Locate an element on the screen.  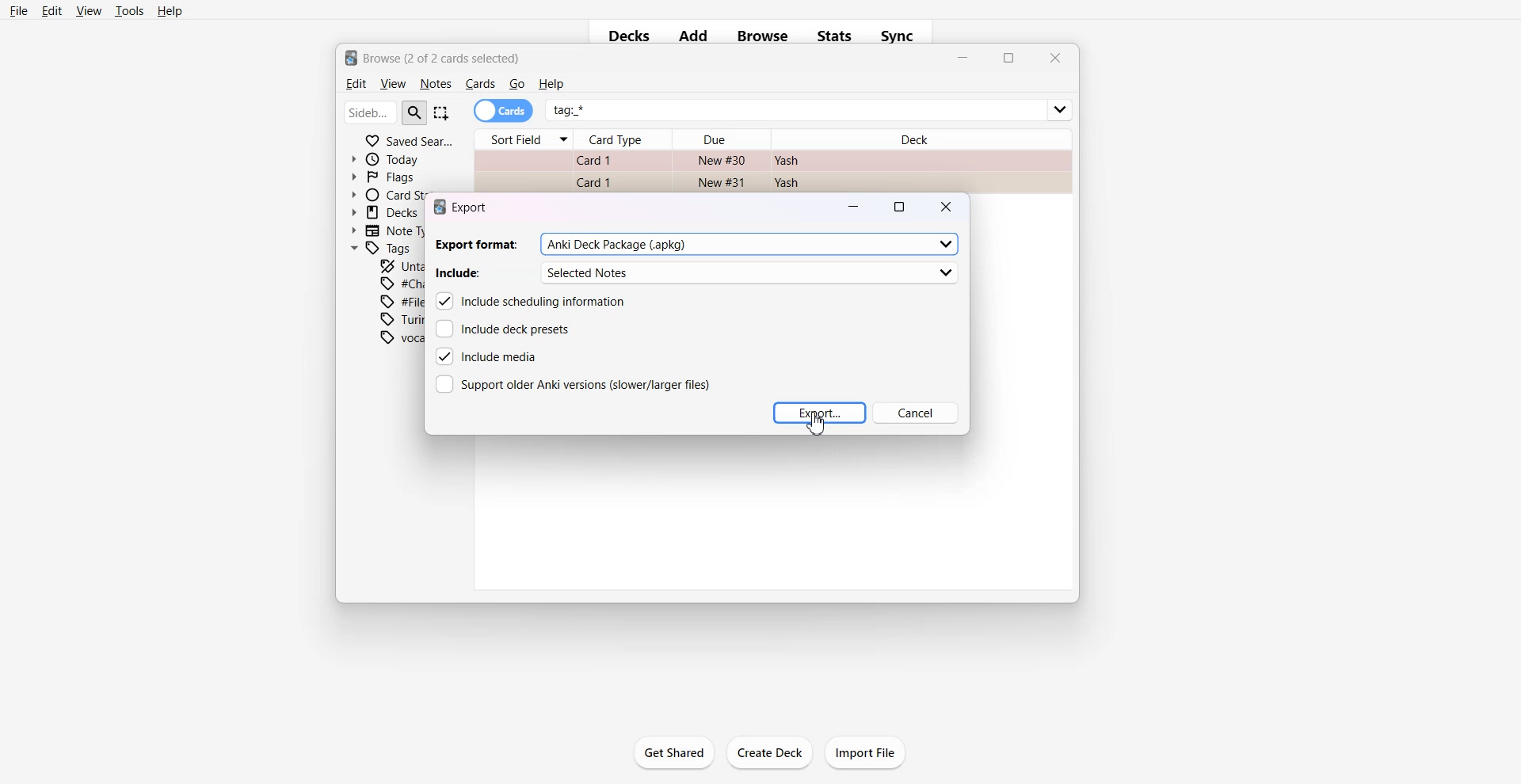
Today is located at coordinates (389, 159).